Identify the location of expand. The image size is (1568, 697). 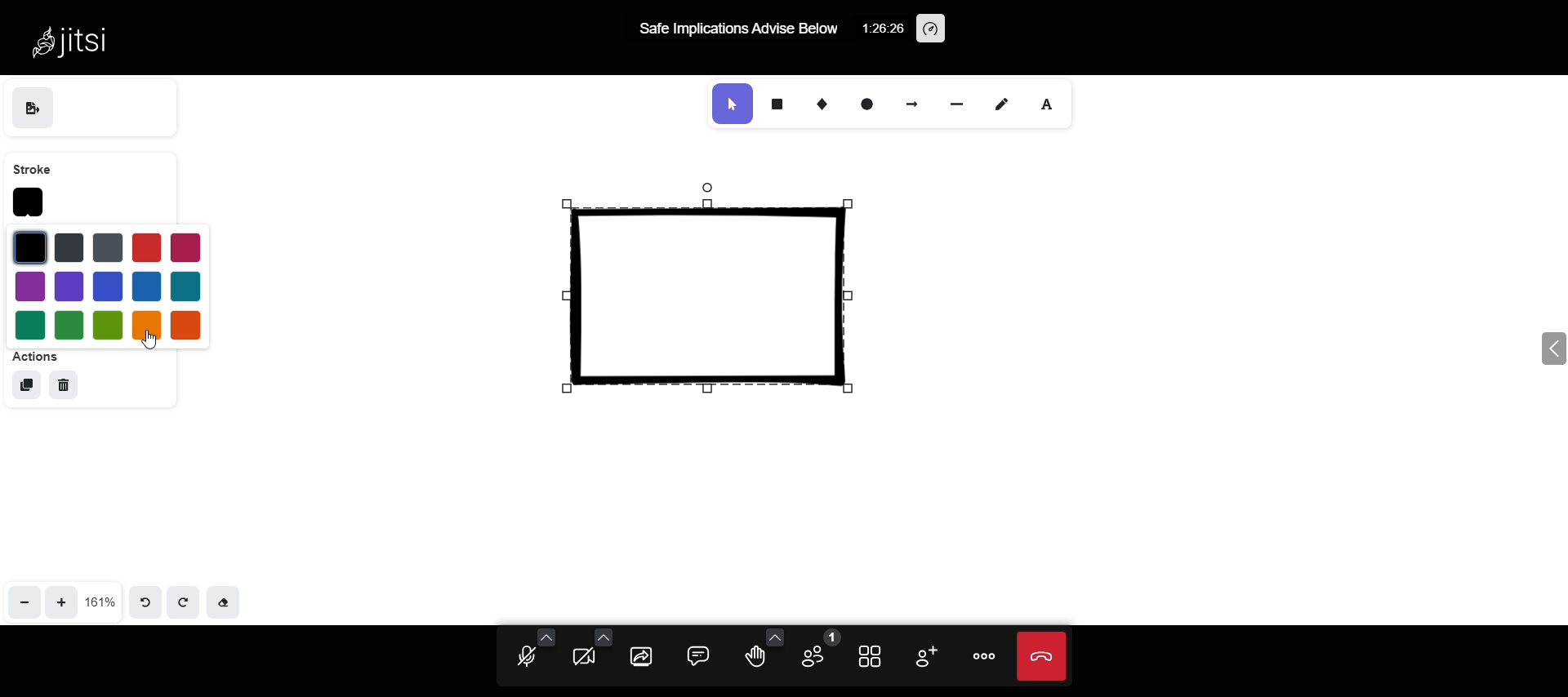
(1539, 348).